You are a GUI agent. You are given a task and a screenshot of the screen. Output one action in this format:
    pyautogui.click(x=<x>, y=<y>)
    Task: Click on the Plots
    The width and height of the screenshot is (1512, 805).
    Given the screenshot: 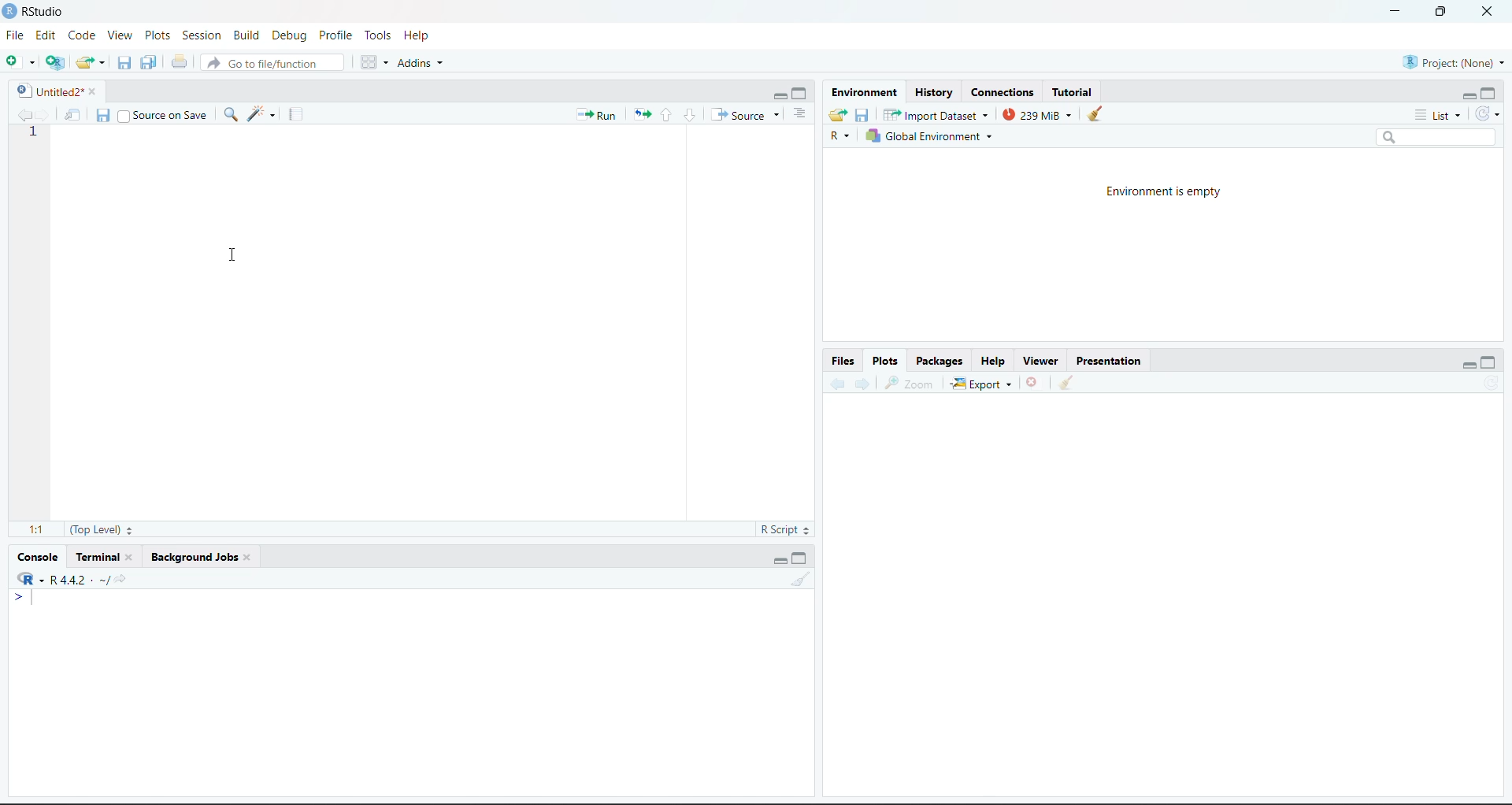 What is the action you would take?
    pyautogui.click(x=887, y=360)
    